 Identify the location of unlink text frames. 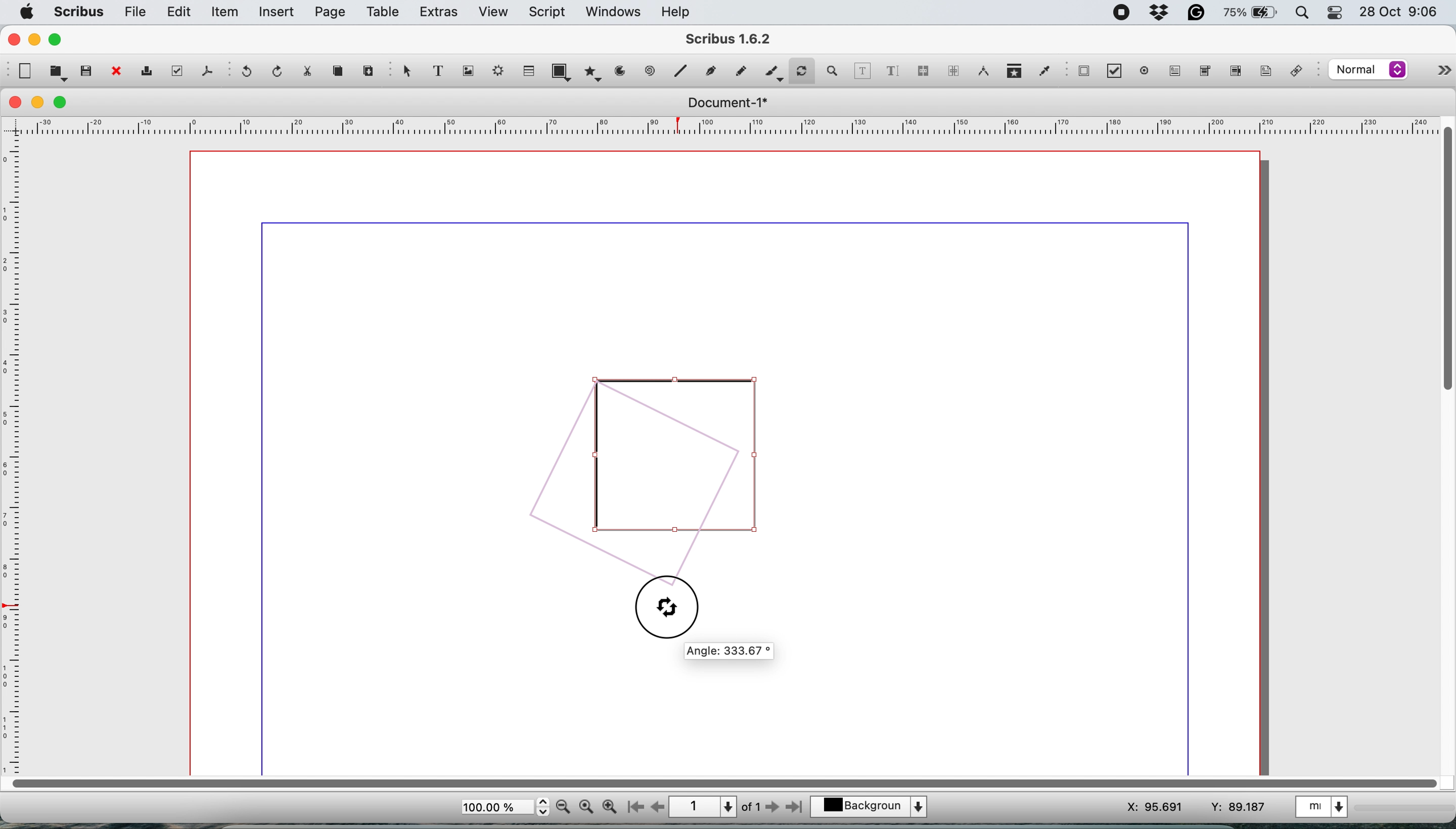
(953, 72).